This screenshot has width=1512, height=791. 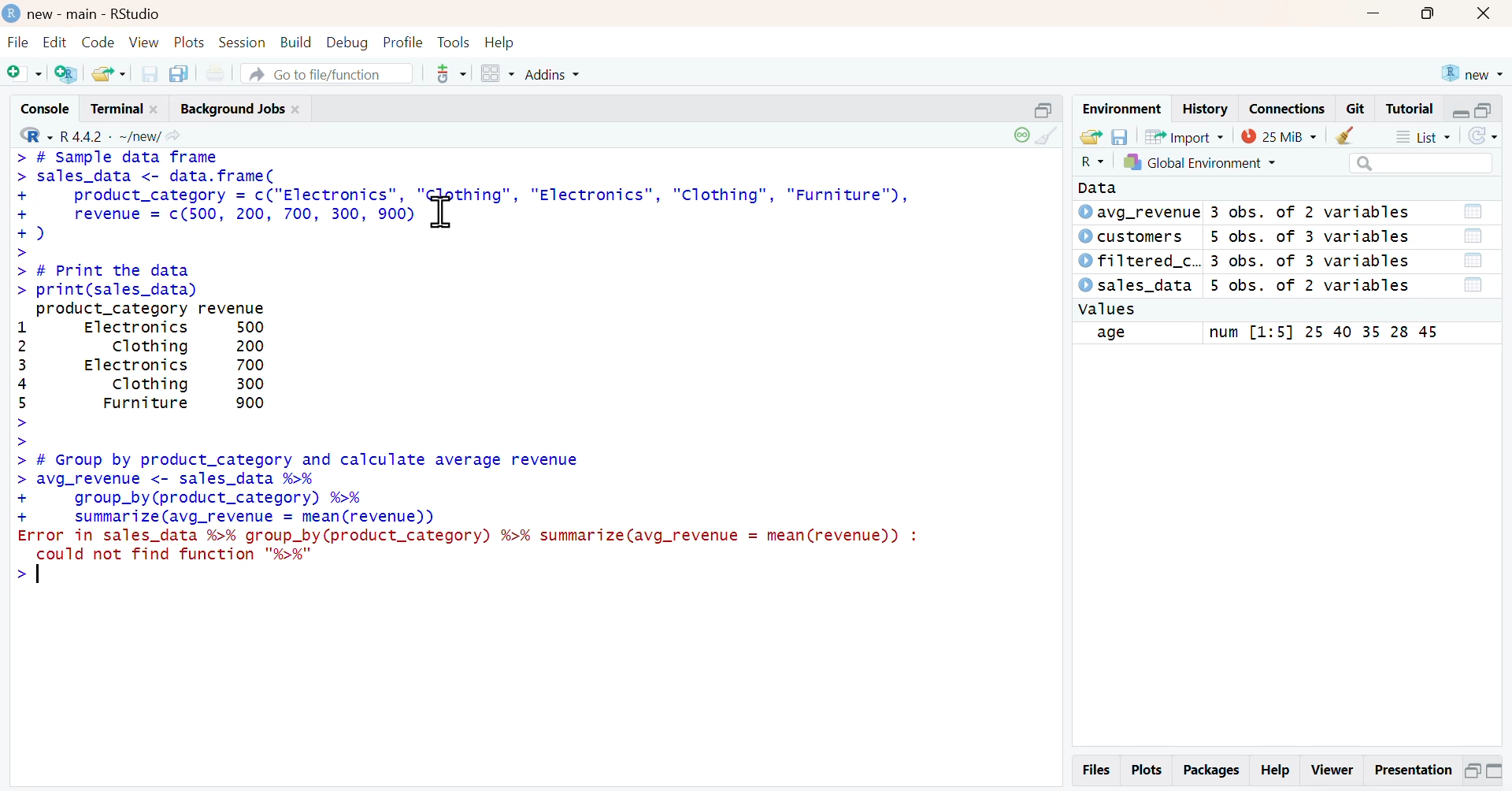 I want to click on Logo, so click(x=12, y=13).